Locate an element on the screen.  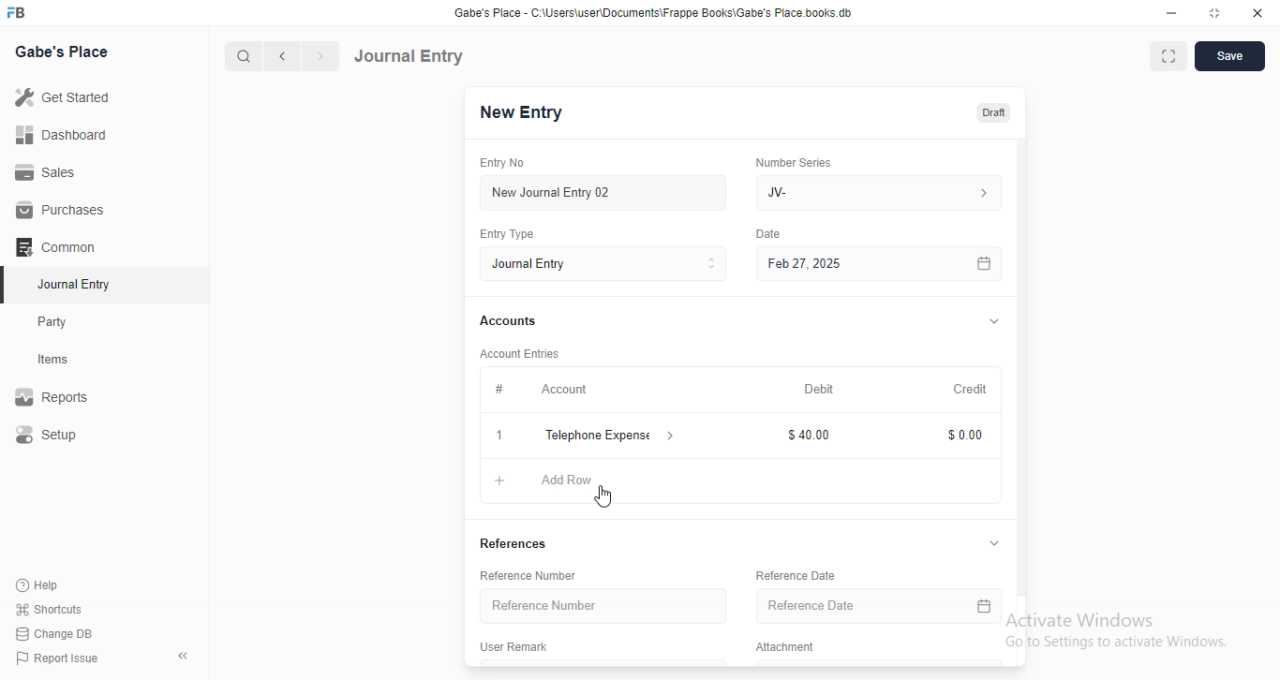
| Change DB is located at coordinates (55, 632).